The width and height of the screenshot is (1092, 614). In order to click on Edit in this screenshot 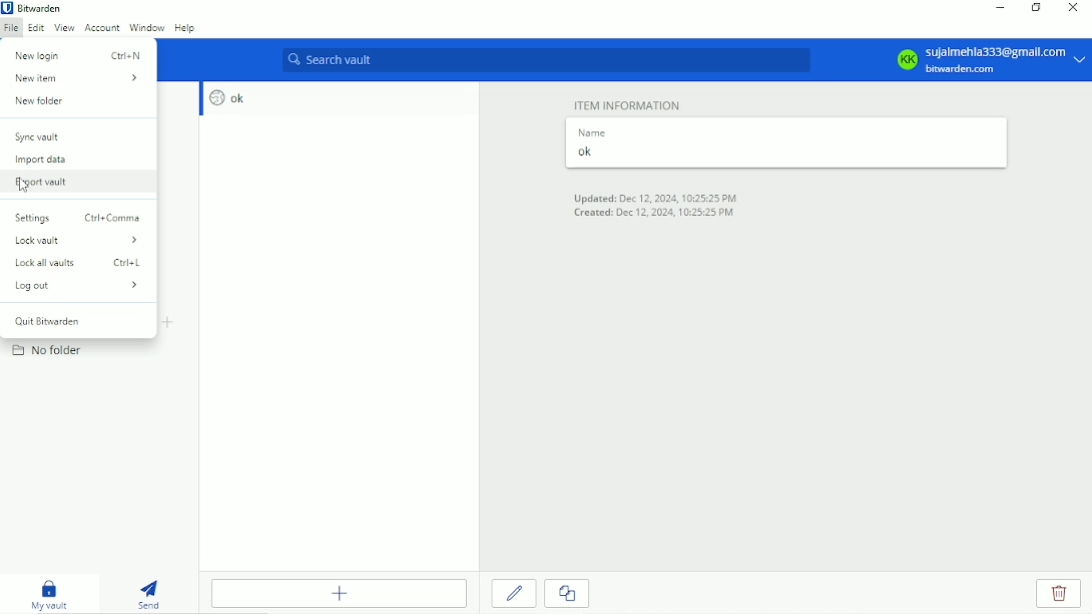, I will do `click(36, 27)`.